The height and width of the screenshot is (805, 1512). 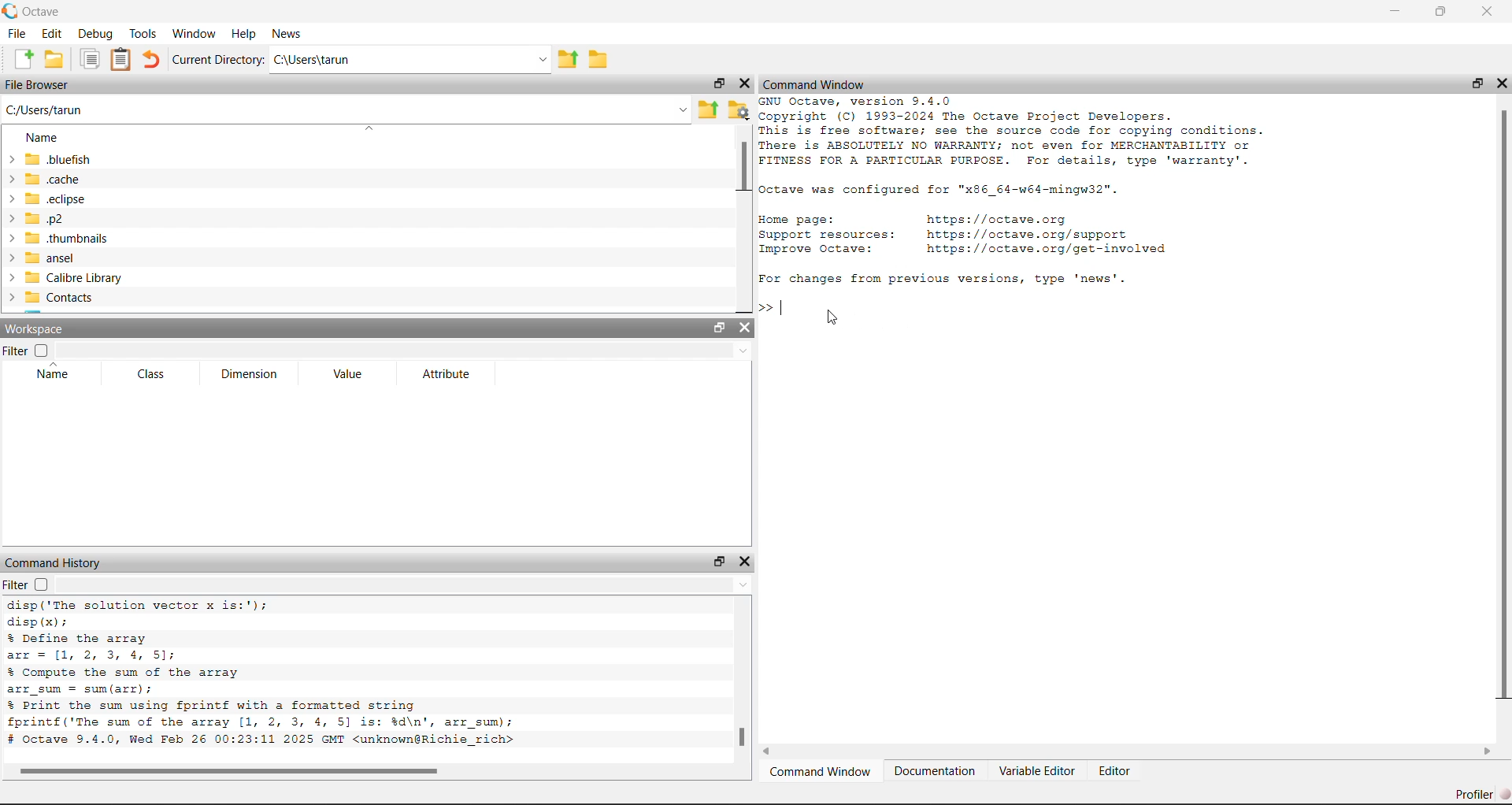 What do you see at coordinates (220, 61) in the screenshot?
I see `Current Directory:` at bounding box center [220, 61].